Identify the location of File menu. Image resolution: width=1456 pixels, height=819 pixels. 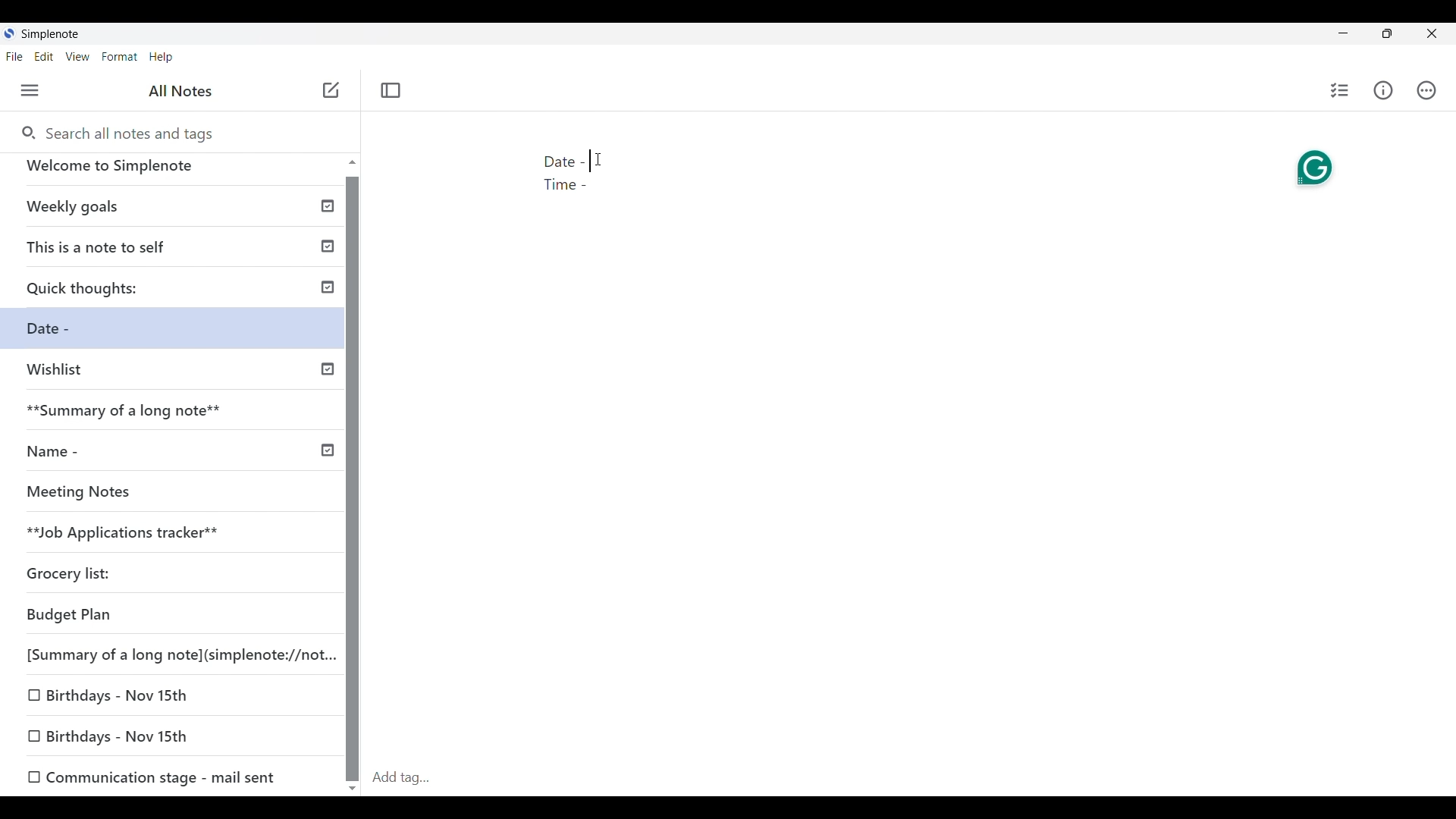
(14, 56).